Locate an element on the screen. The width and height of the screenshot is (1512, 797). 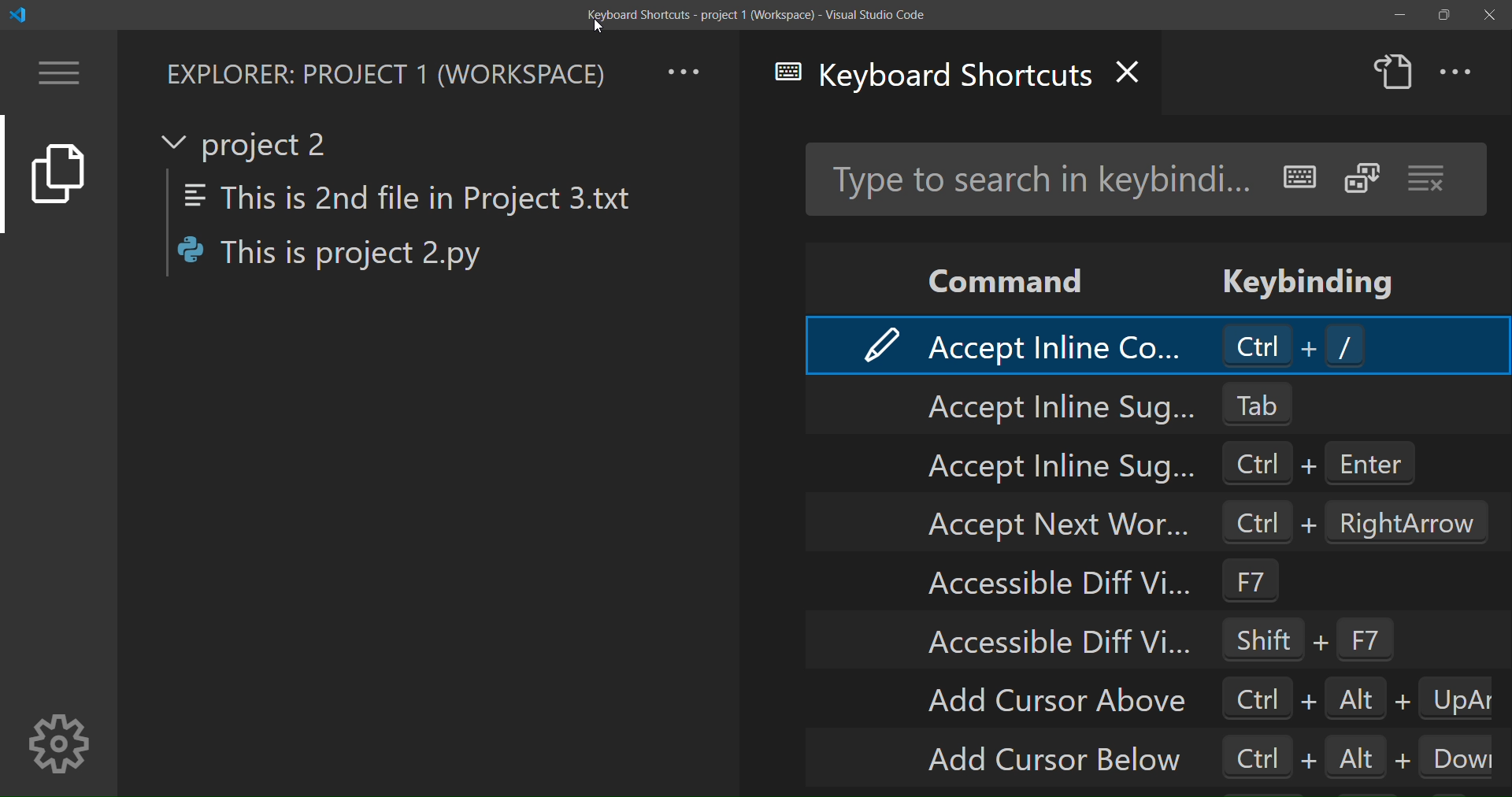
keyboard shortcuts is located at coordinates (932, 80).